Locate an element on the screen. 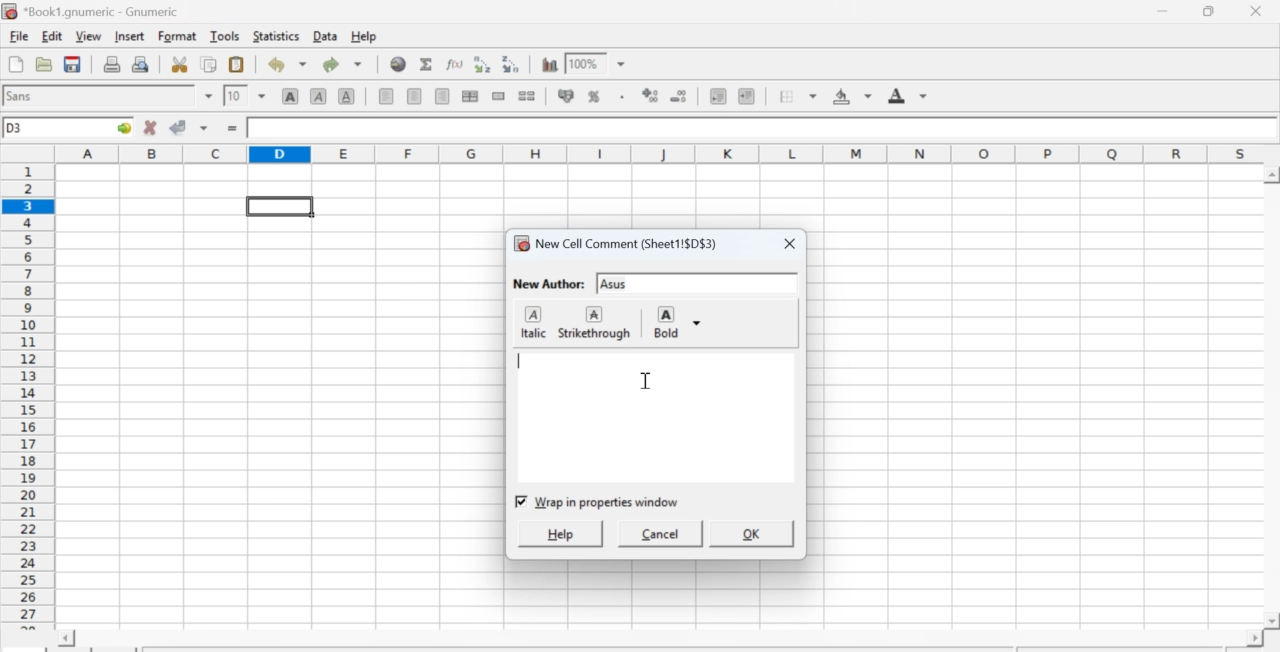 The image size is (1280, 652). Tools is located at coordinates (227, 37).